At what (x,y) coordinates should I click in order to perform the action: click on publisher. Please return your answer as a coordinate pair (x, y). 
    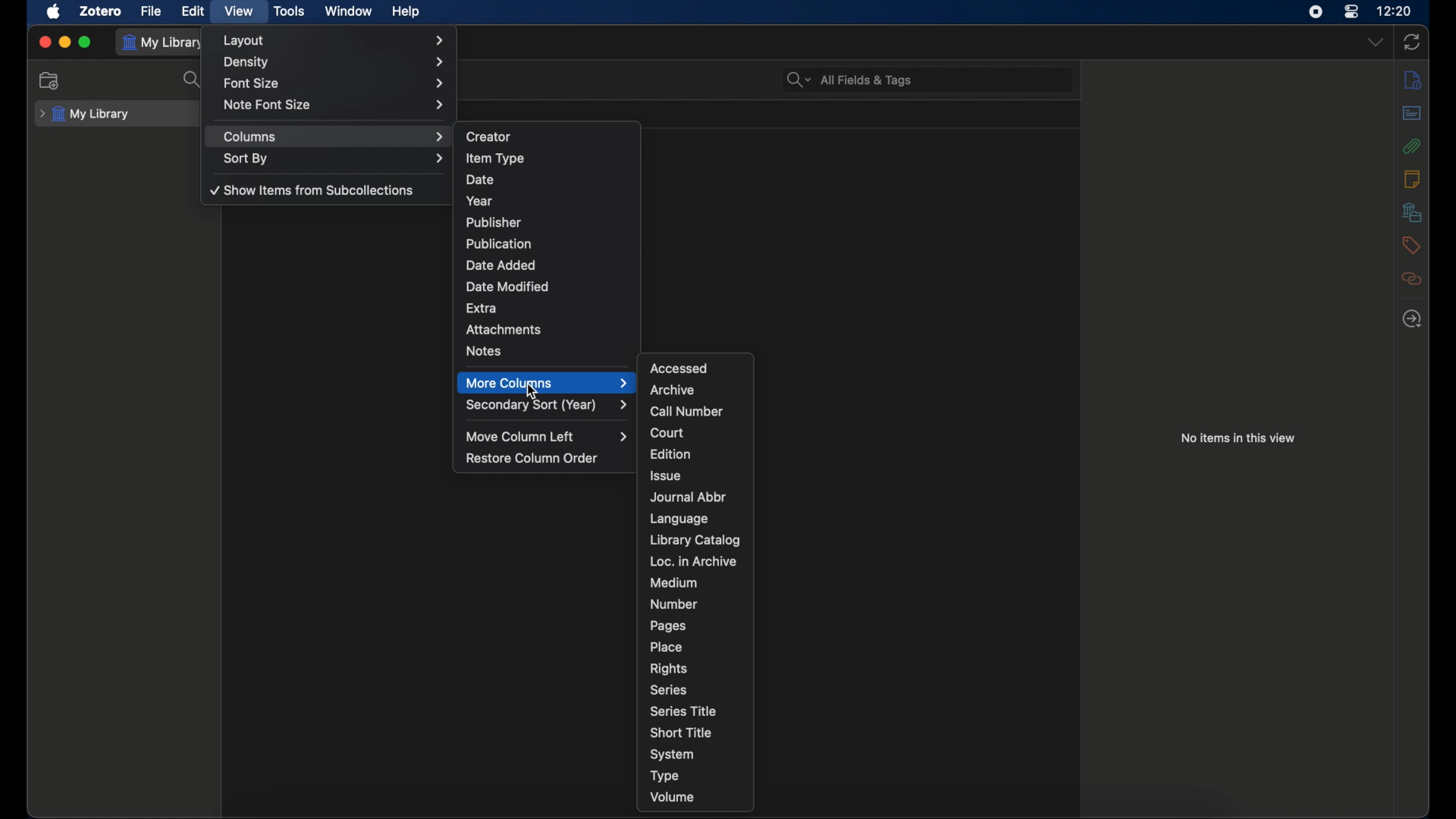
    Looking at the image, I should click on (492, 222).